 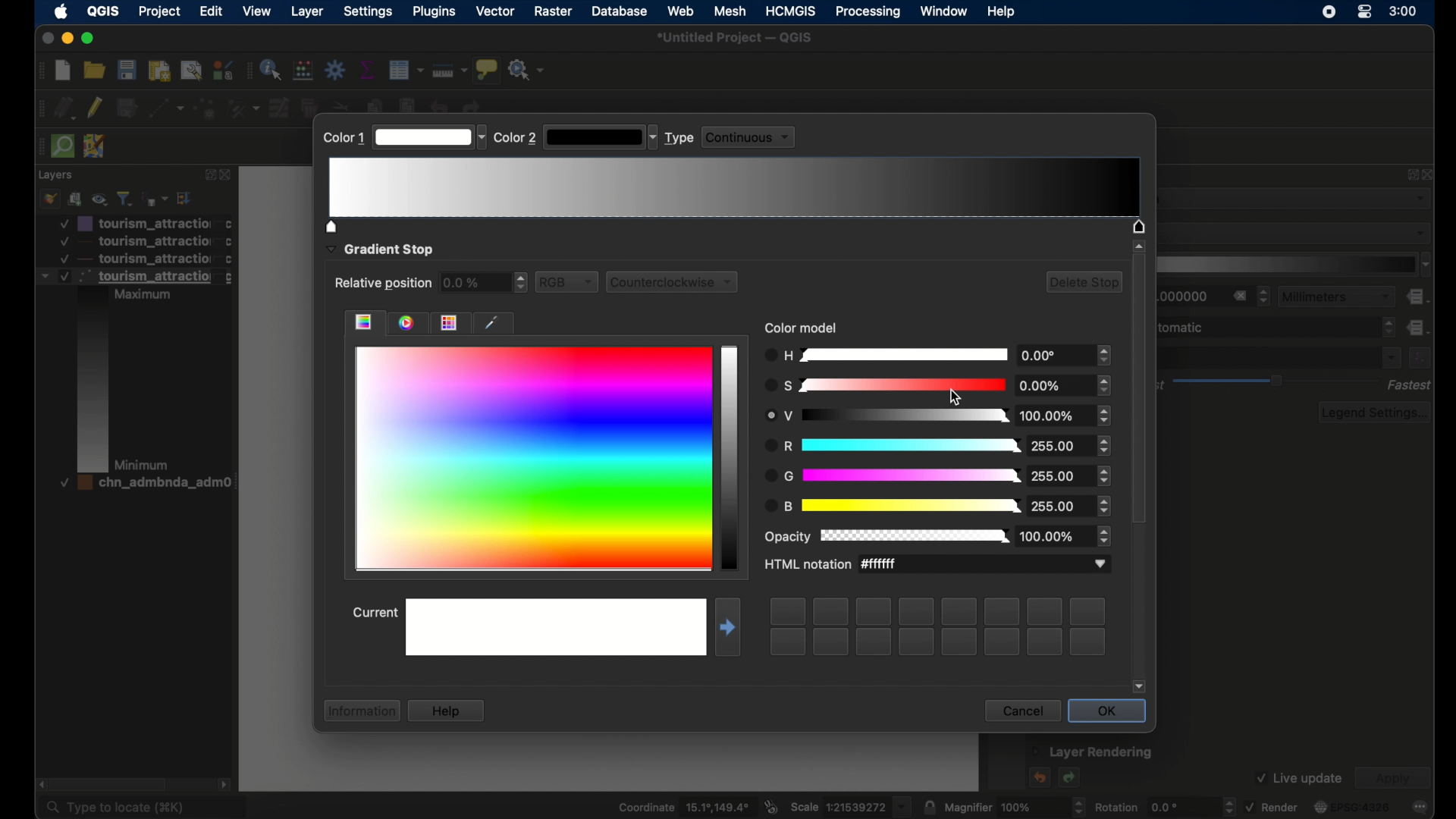 I want to click on opacity, so click(x=937, y=535).